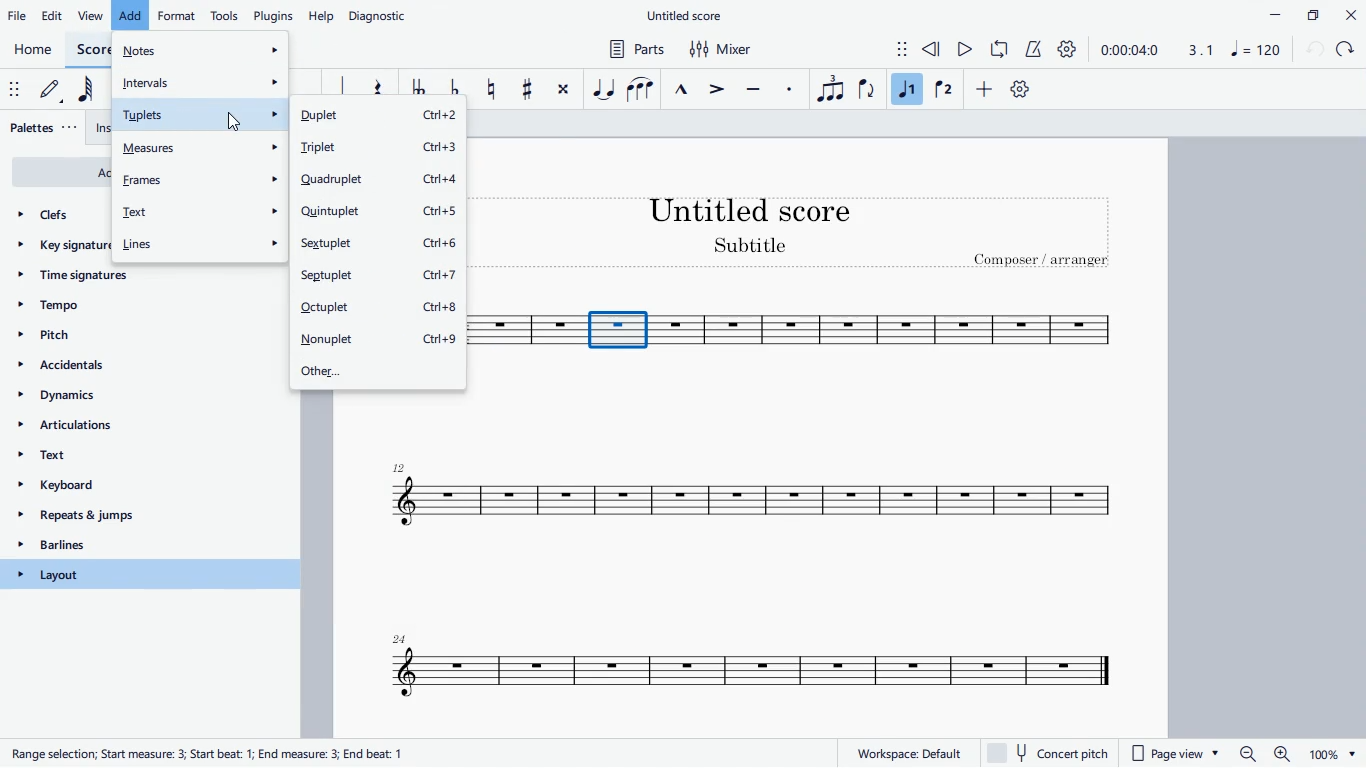  I want to click on palettes, so click(45, 129).